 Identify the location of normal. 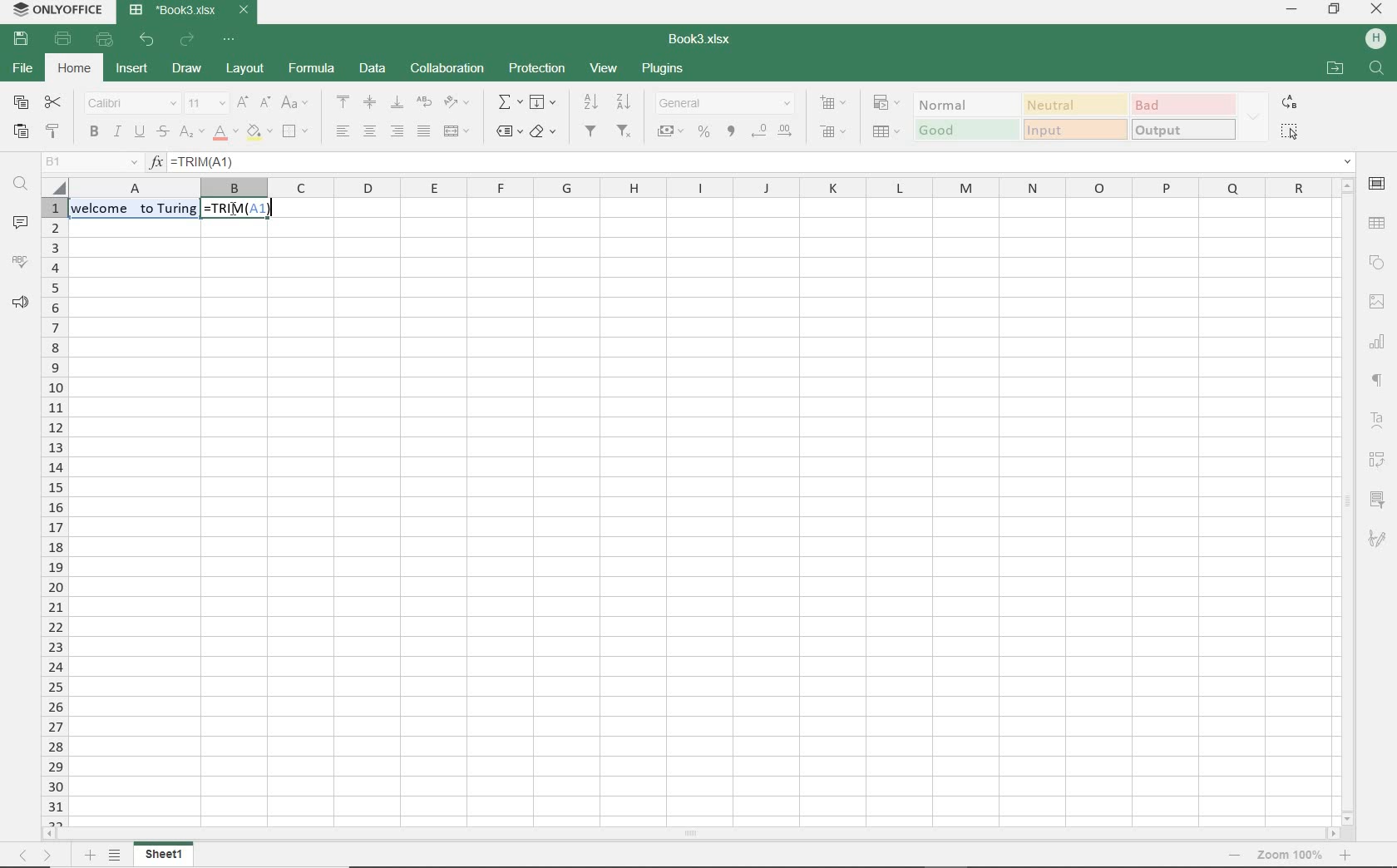
(963, 104).